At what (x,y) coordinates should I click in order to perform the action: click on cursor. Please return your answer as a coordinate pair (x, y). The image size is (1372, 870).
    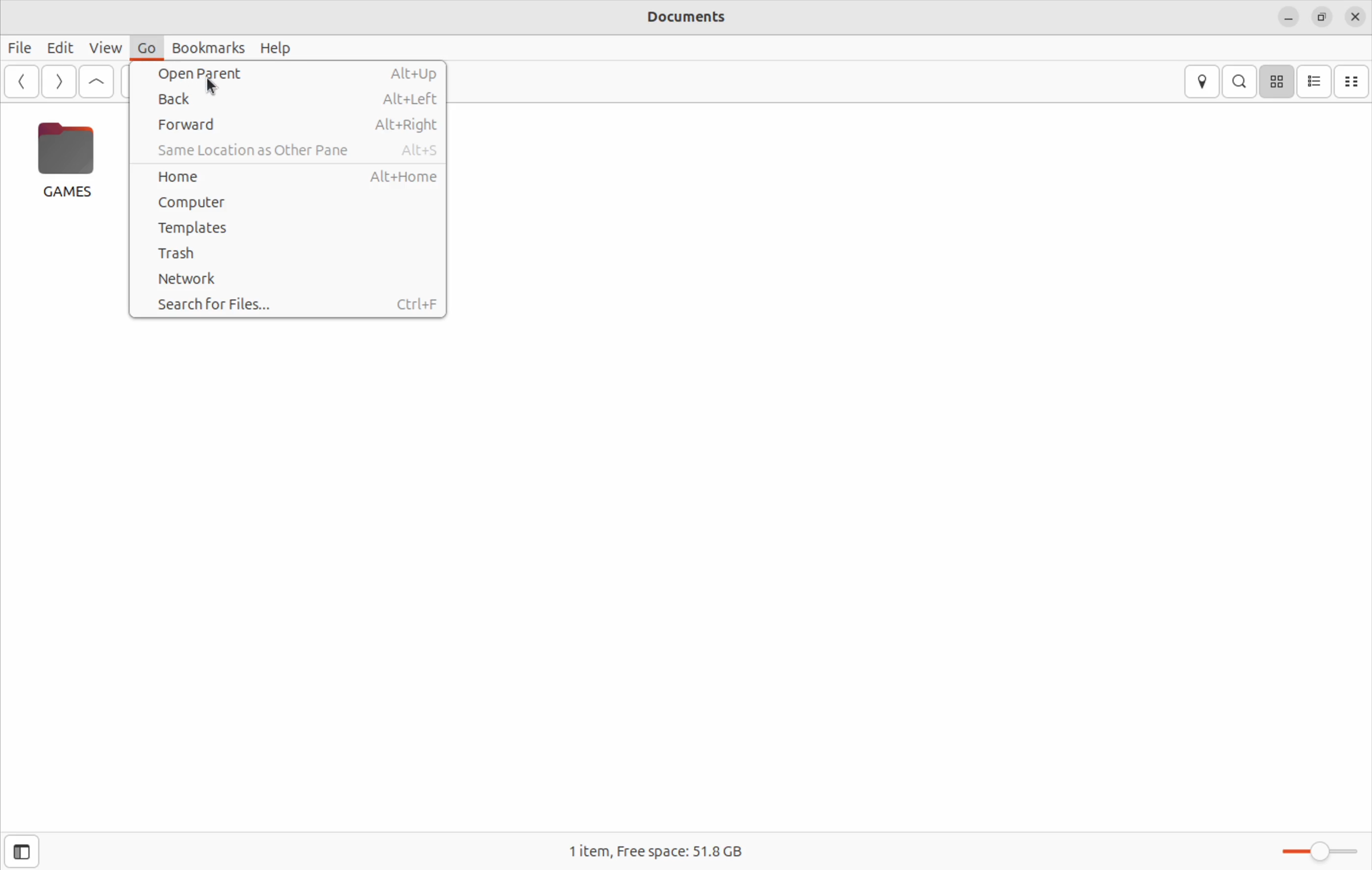
    Looking at the image, I should click on (214, 88).